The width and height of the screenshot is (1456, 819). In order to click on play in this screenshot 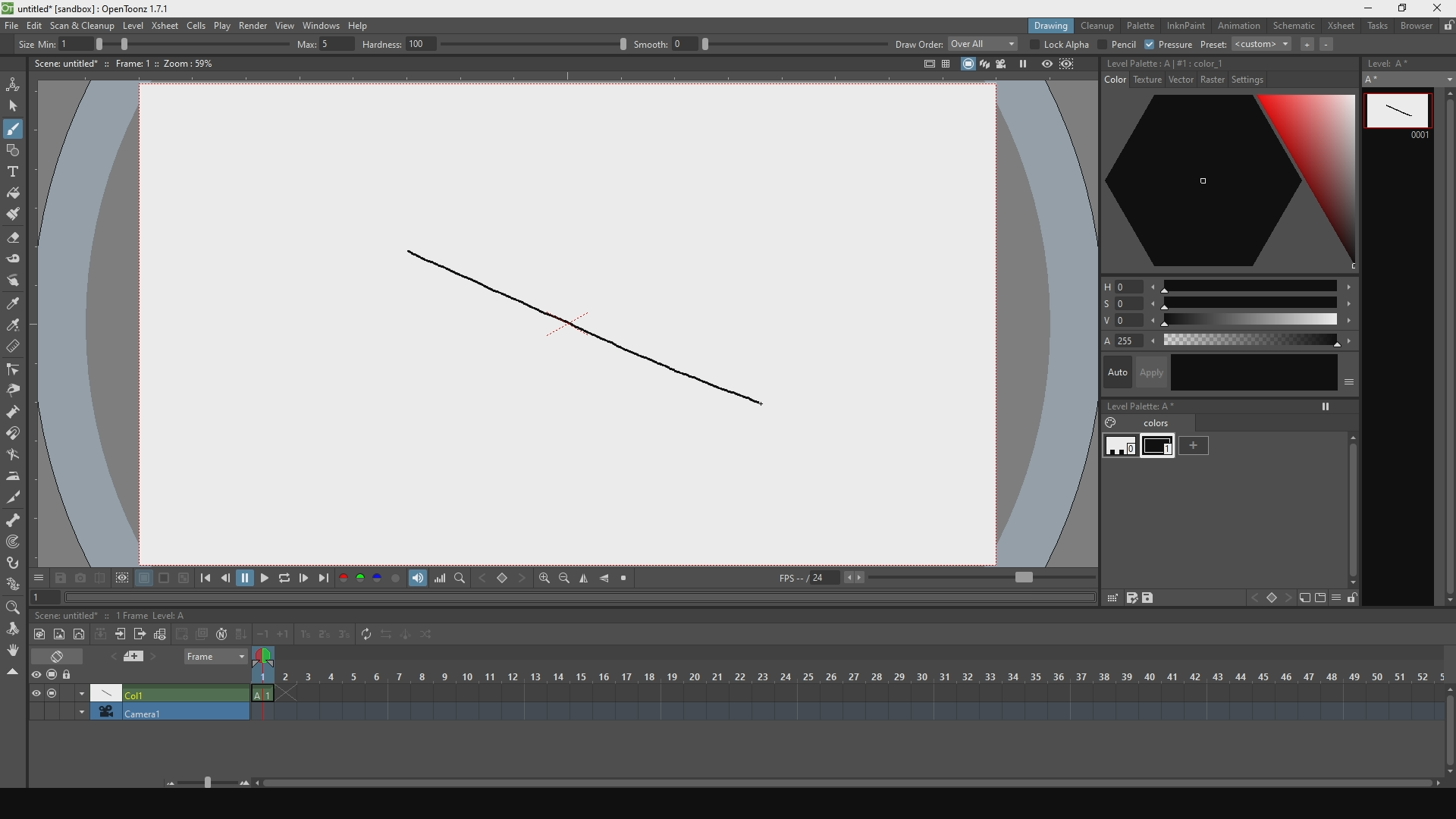, I will do `click(268, 579)`.